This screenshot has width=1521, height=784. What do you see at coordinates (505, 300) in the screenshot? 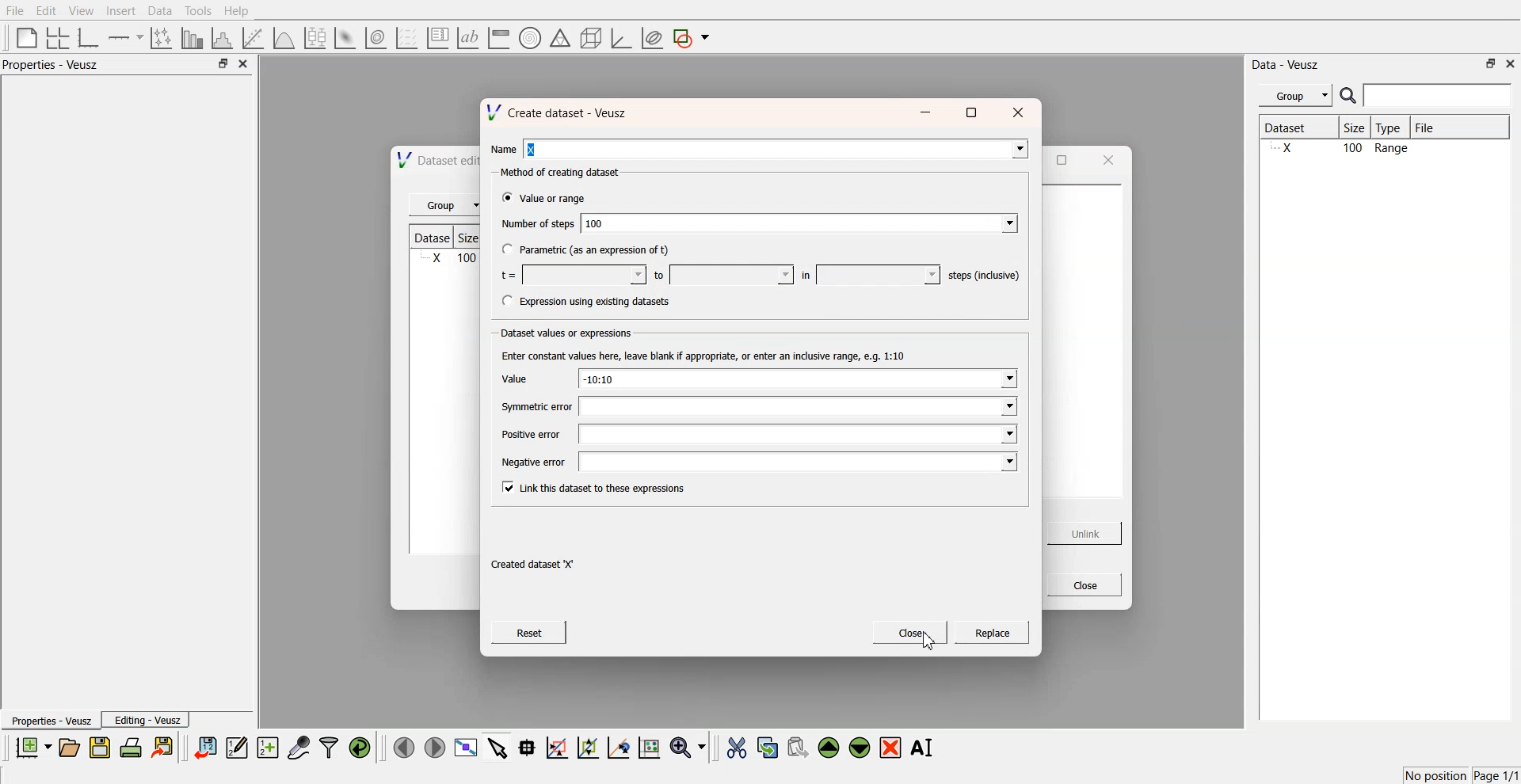
I see `checkbox` at bounding box center [505, 300].